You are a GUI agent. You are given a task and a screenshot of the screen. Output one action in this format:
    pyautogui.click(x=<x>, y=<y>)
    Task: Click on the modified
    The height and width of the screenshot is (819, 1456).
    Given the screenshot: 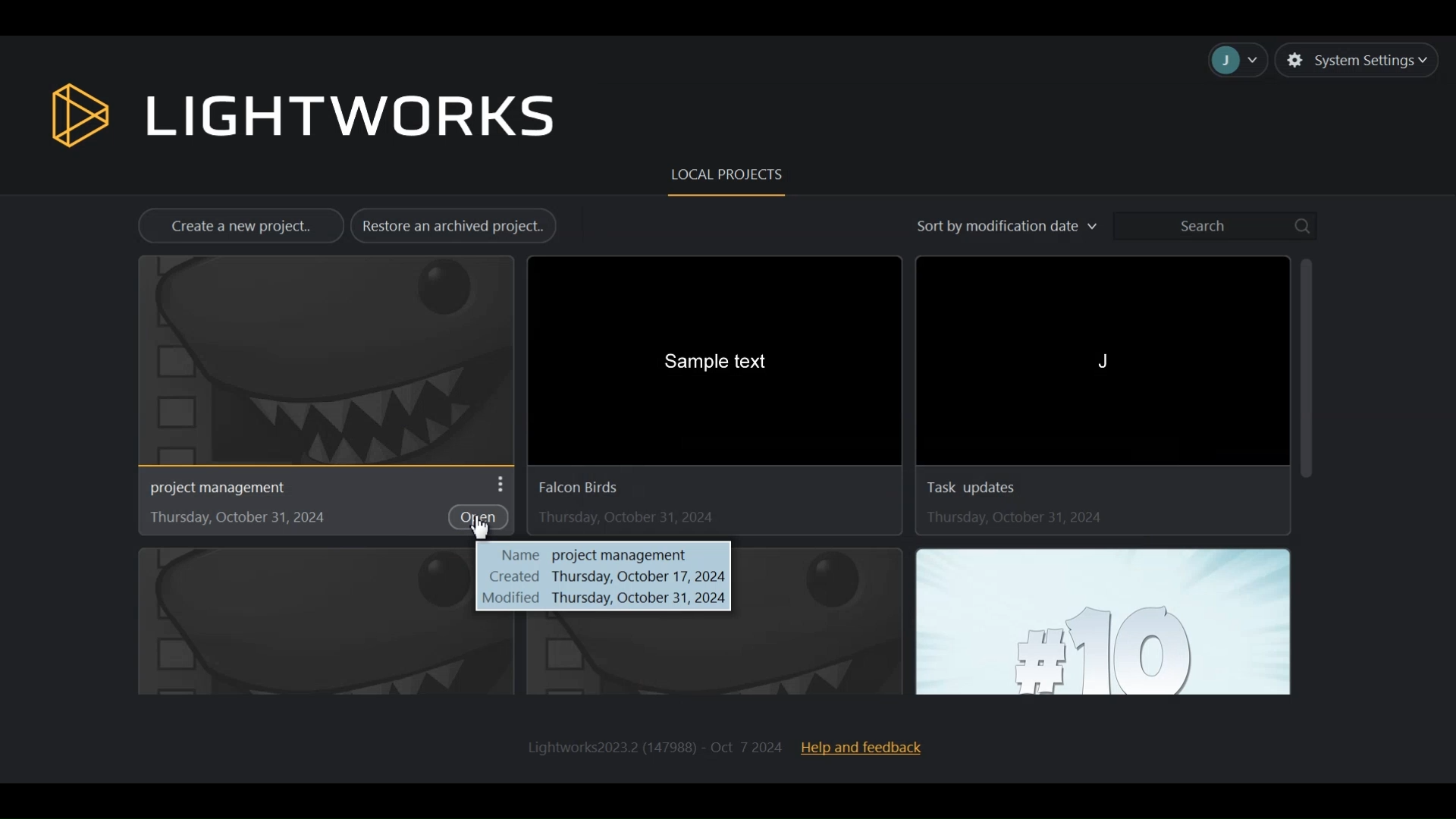 What is the action you would take?
    pyautogui.click(x=607, y=598)
    